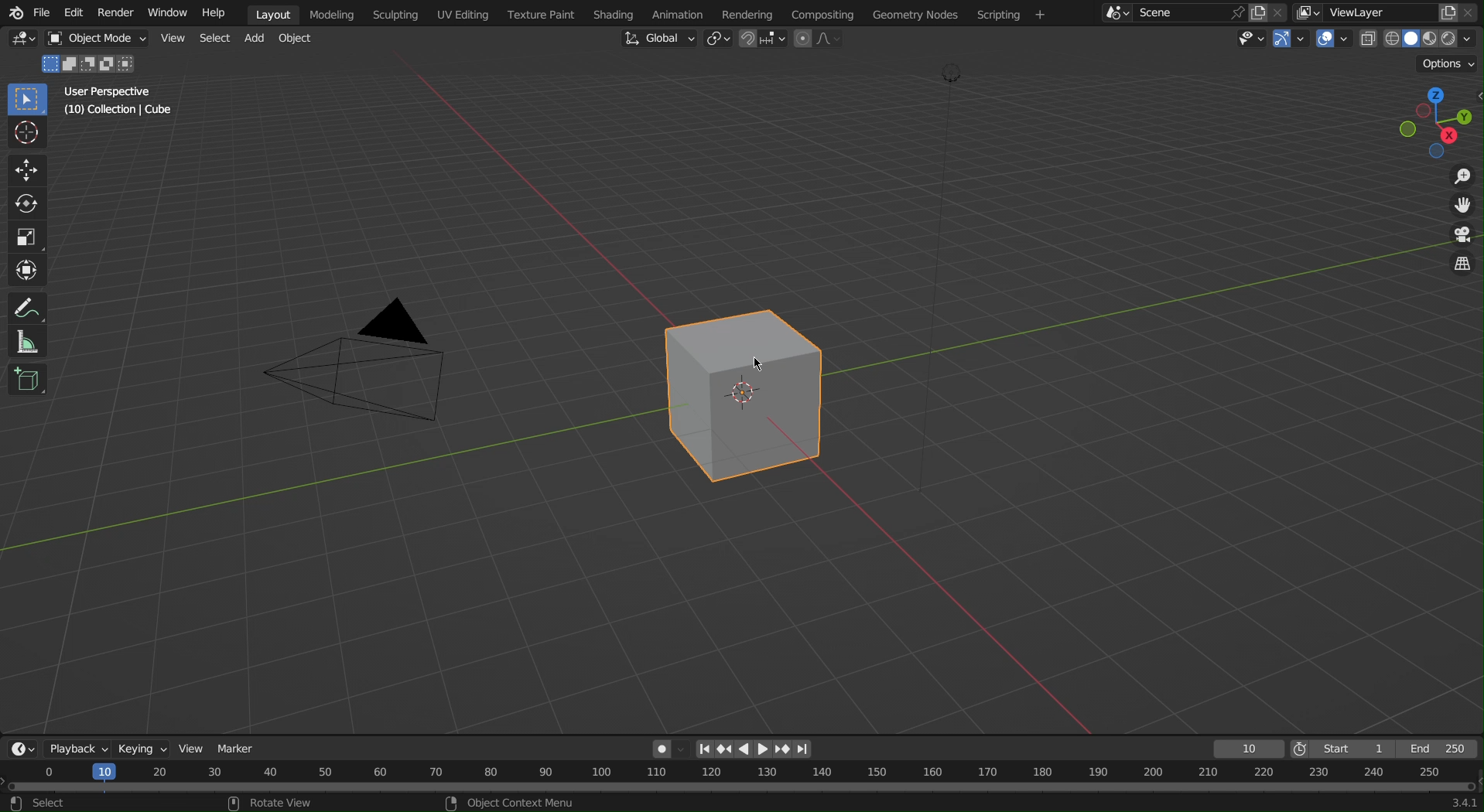 This screenshot has height=812, width=1484. I want to click on Show Gizmo, so click(1288, 39).